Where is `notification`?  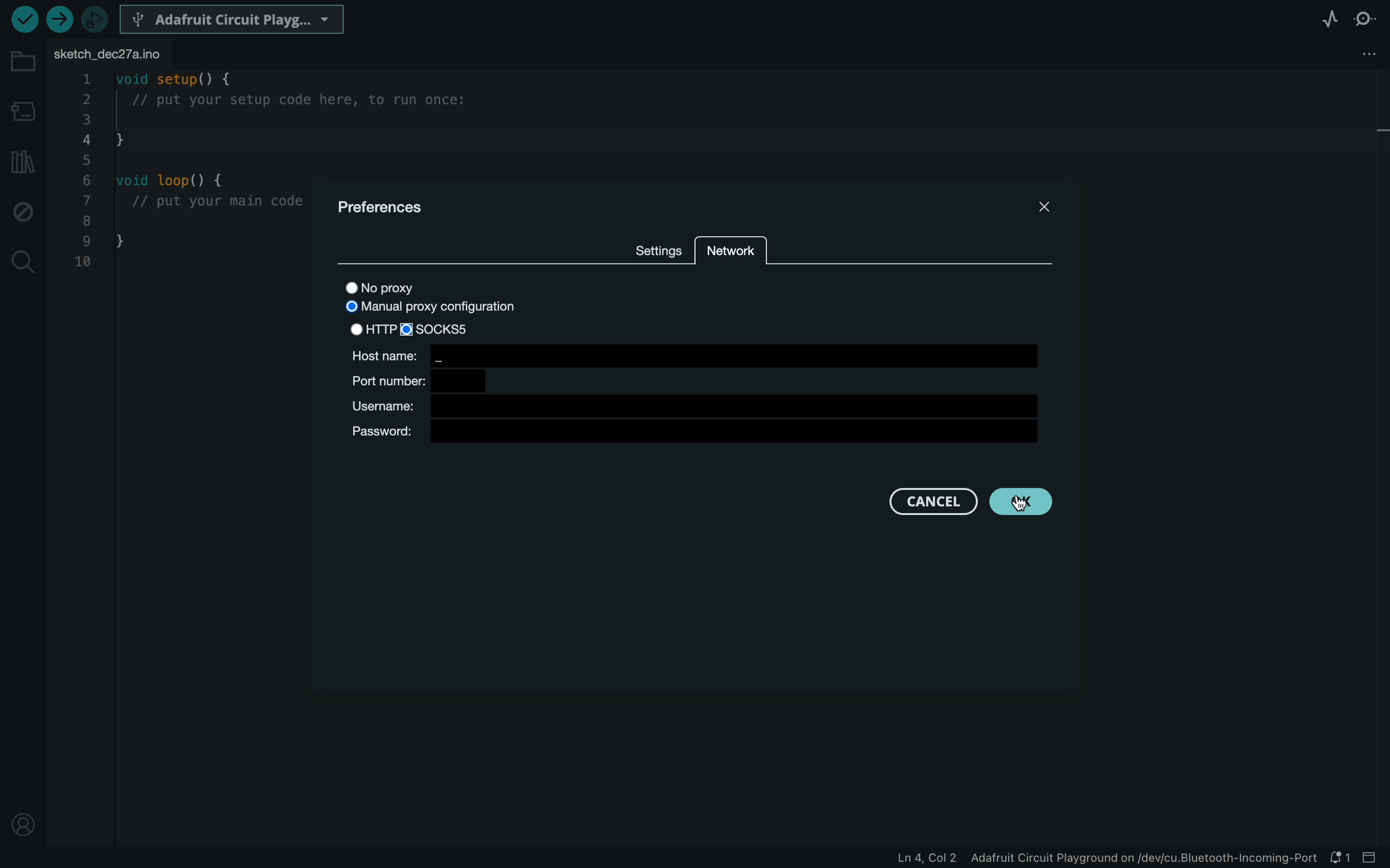 notification is located at coordinates (1338, 857).